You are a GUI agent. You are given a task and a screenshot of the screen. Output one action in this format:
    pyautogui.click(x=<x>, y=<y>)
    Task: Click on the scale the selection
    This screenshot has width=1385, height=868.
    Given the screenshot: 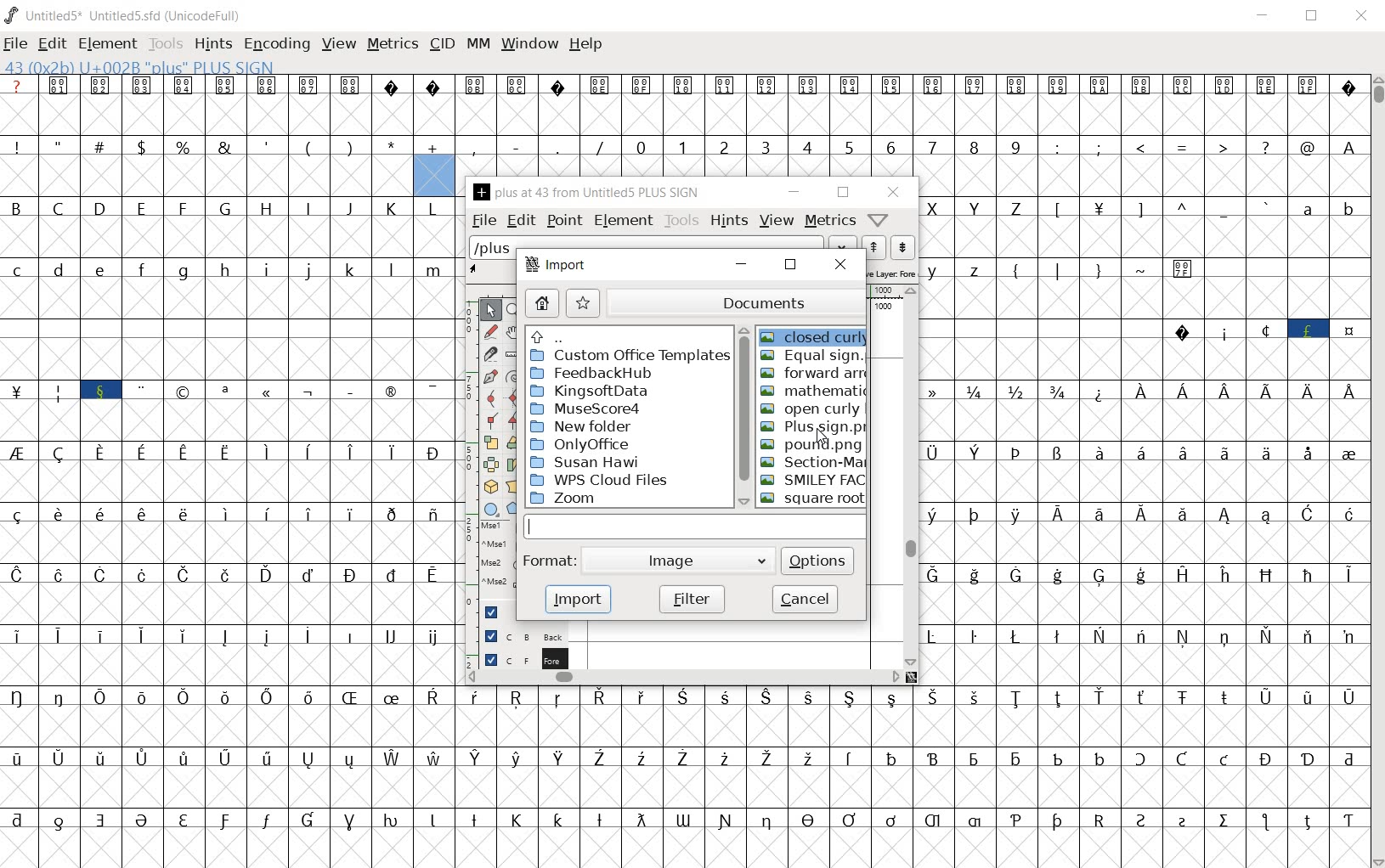 What is the action you would take?
    pyautogui.click(x=490, y=442)
    